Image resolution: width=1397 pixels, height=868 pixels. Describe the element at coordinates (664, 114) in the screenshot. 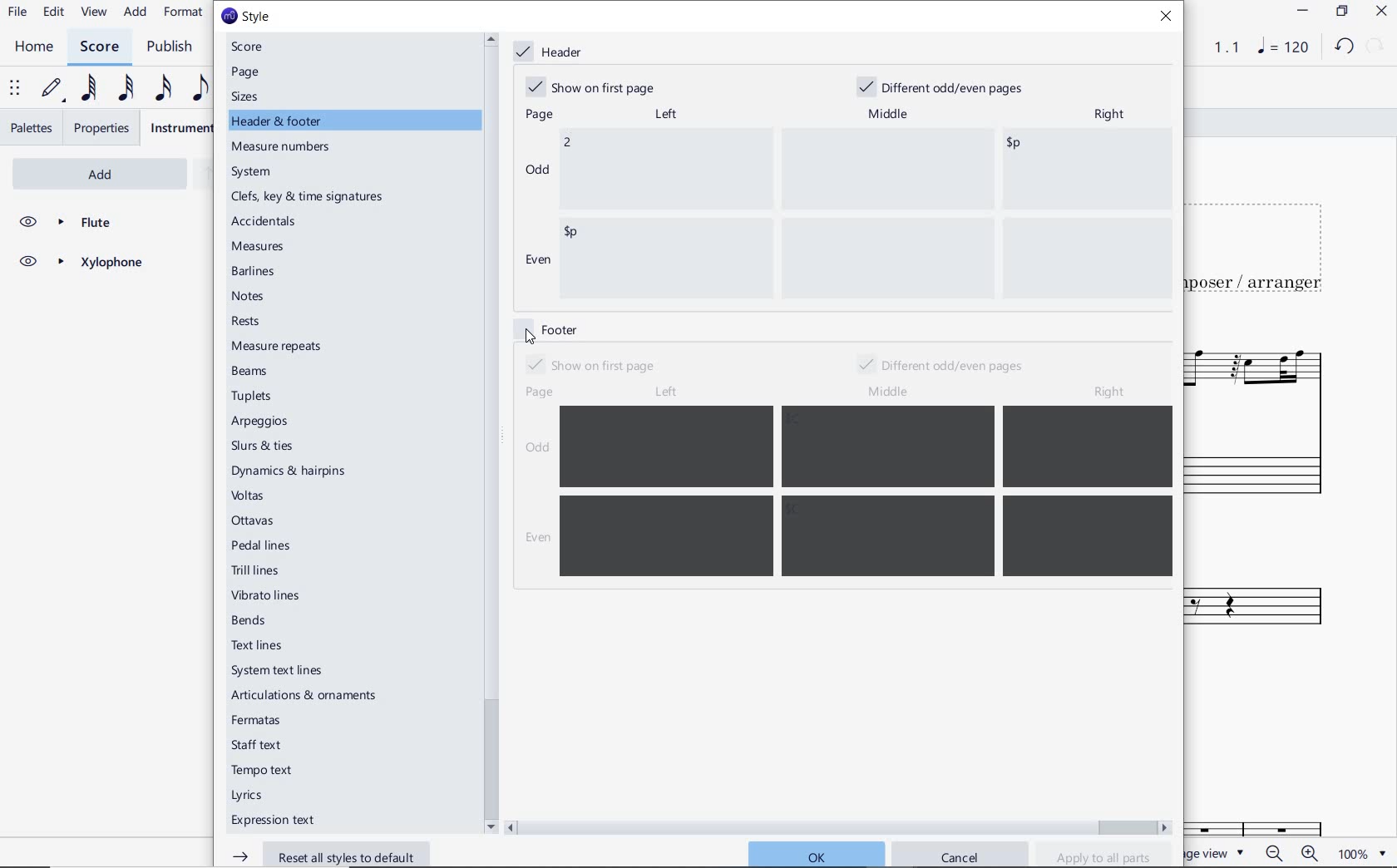

I see `left` at that location.